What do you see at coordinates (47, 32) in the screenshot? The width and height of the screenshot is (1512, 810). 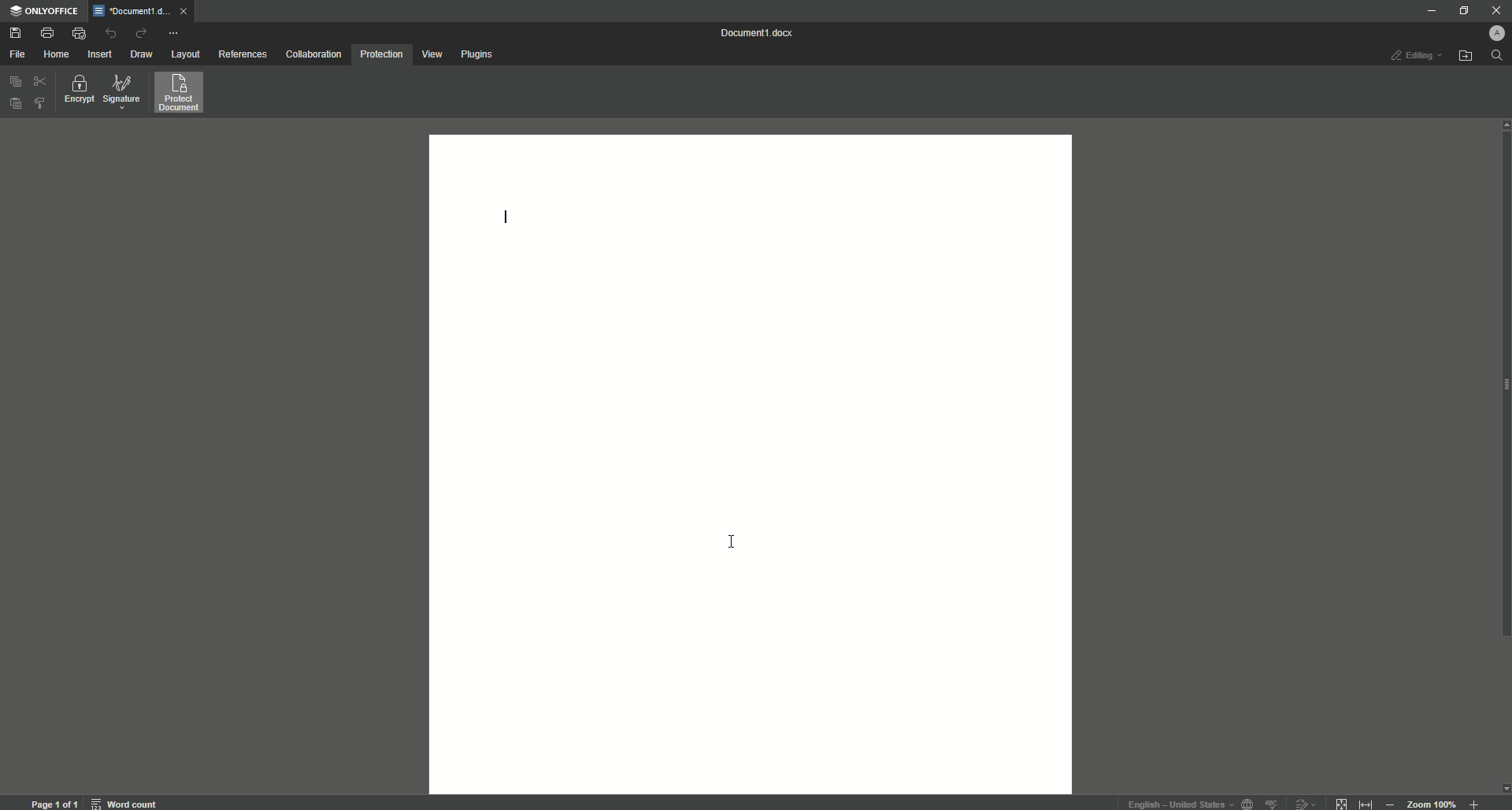 I see `Print` at bounding box center [47, 32].